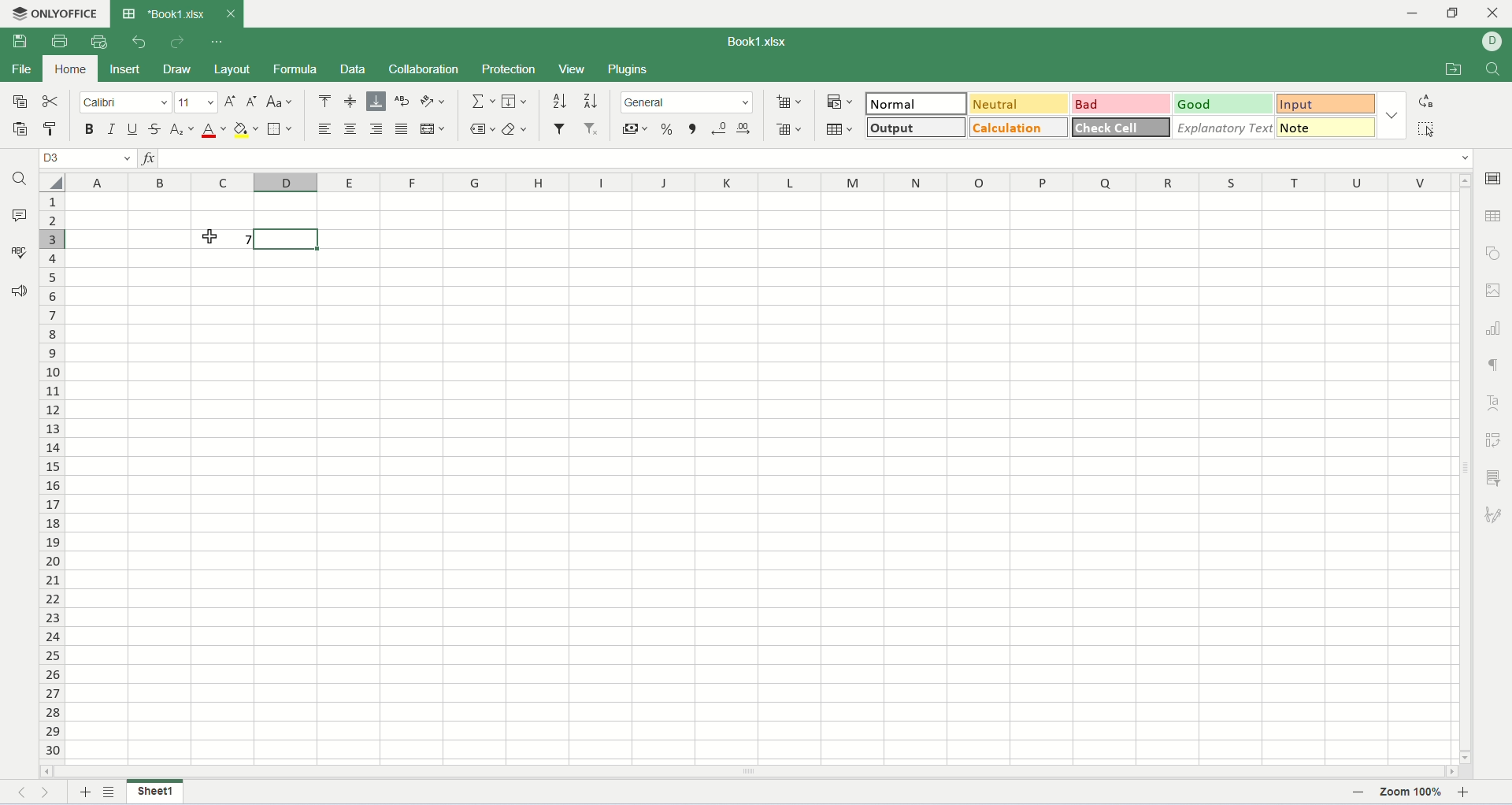 The height and width of the screenshot is (805, 1512). Describe the element at coordinates (514, 131) in the screenshot. I see `clear` at that location.